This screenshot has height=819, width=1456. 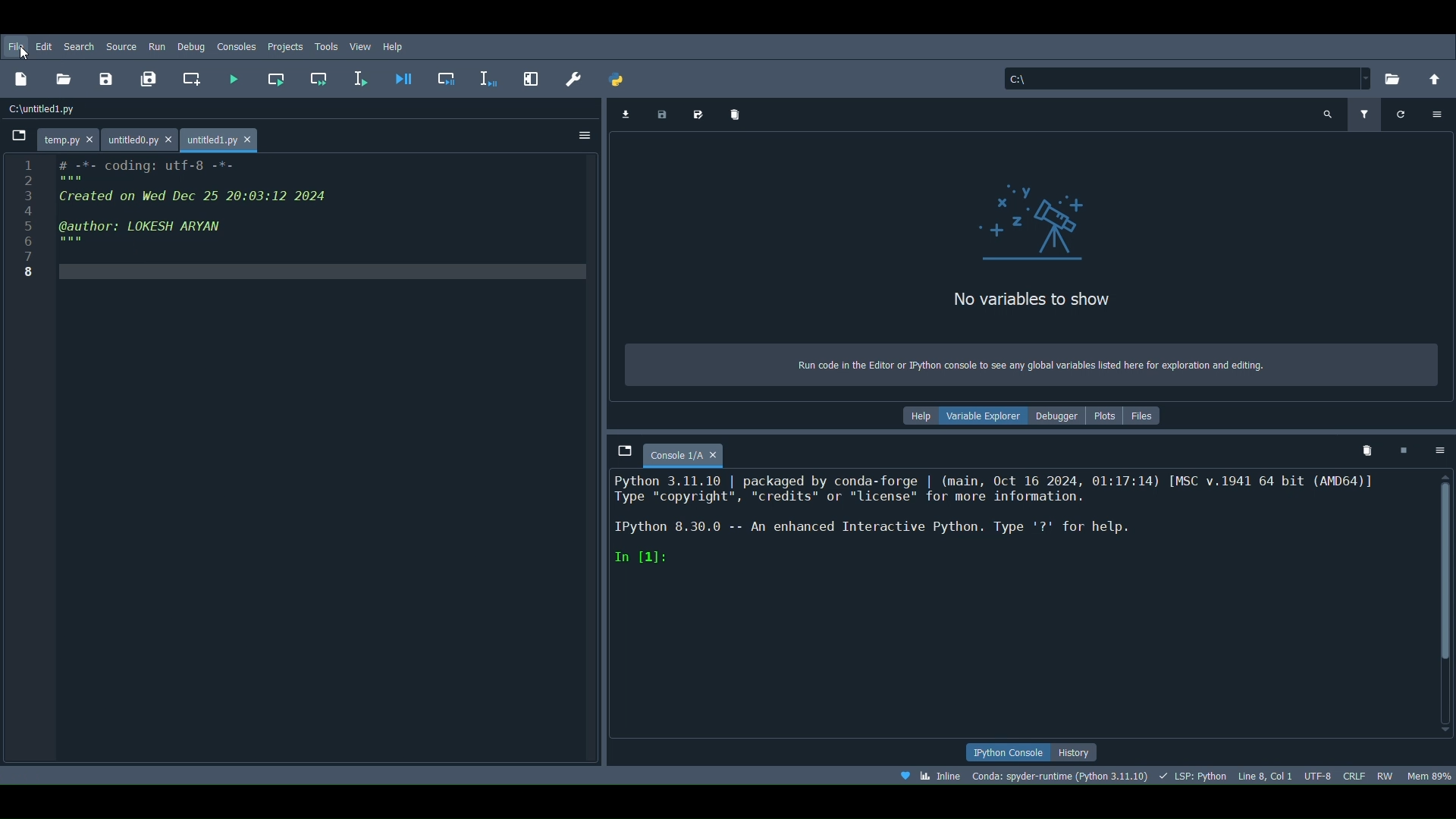 I want to click on Version, so click(x=1060, y=775).